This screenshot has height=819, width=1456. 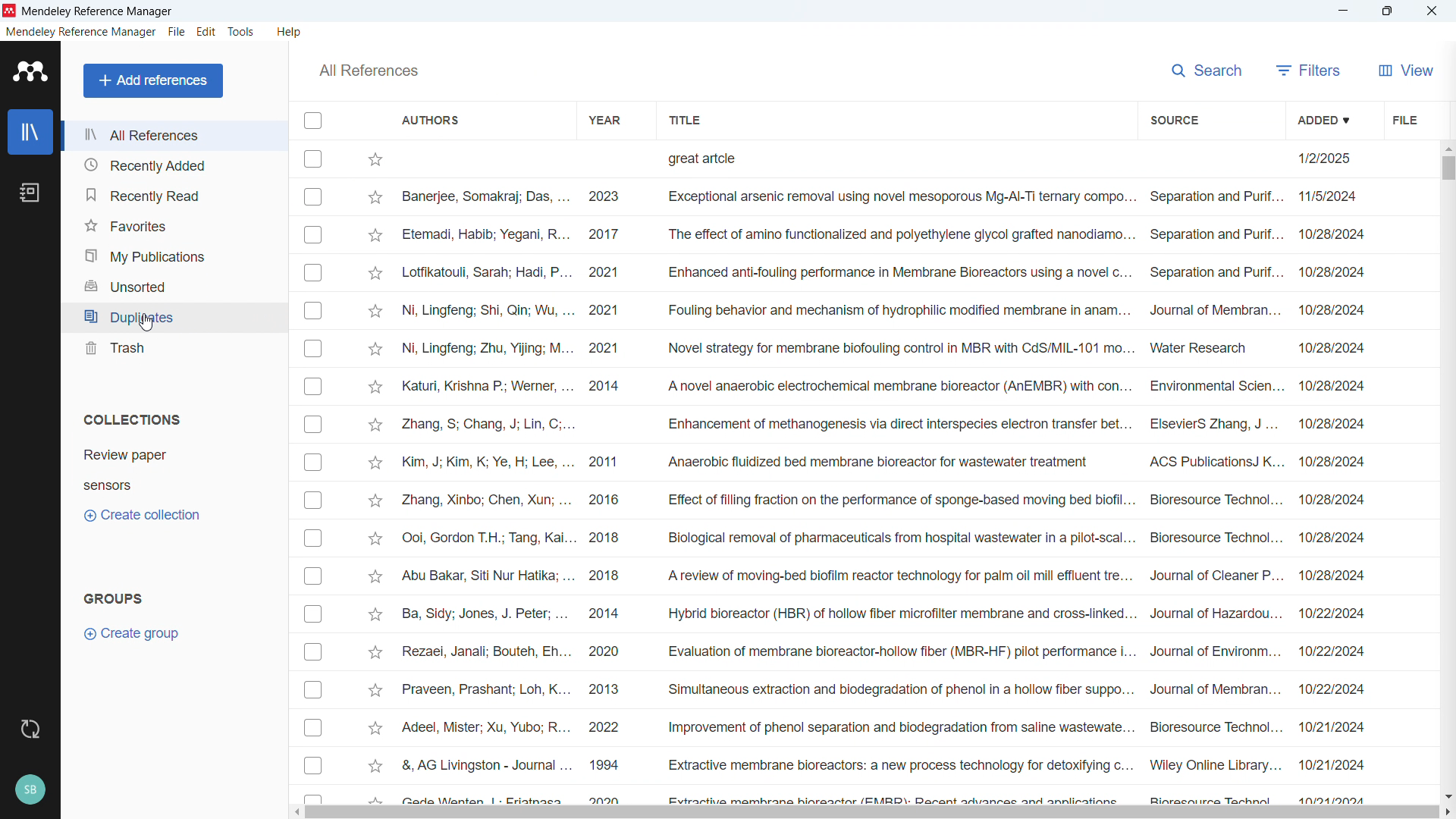 I want to click on logo, so click(x=30, y=71).